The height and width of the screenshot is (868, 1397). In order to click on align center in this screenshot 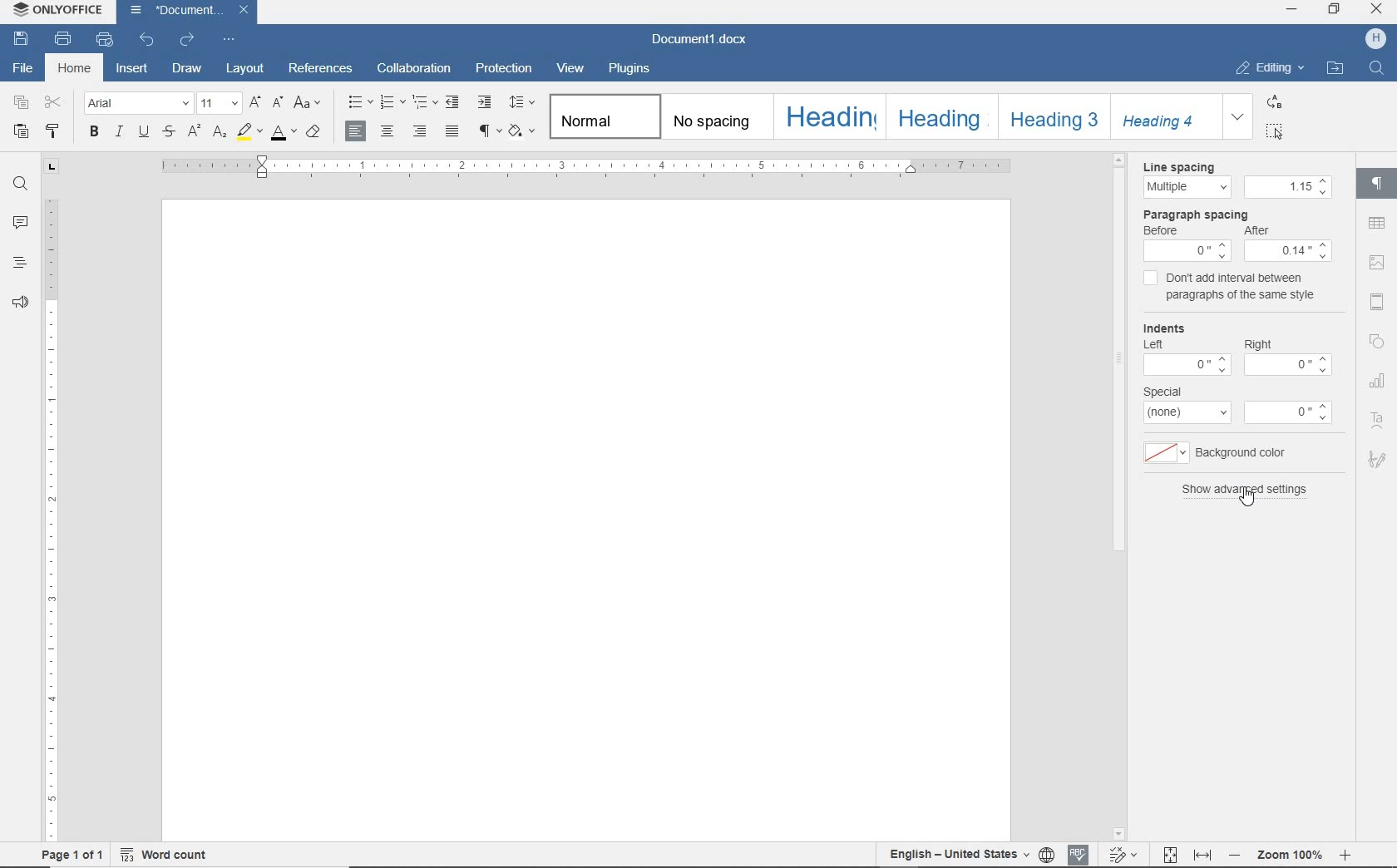, I will do `click(388, 132)`.